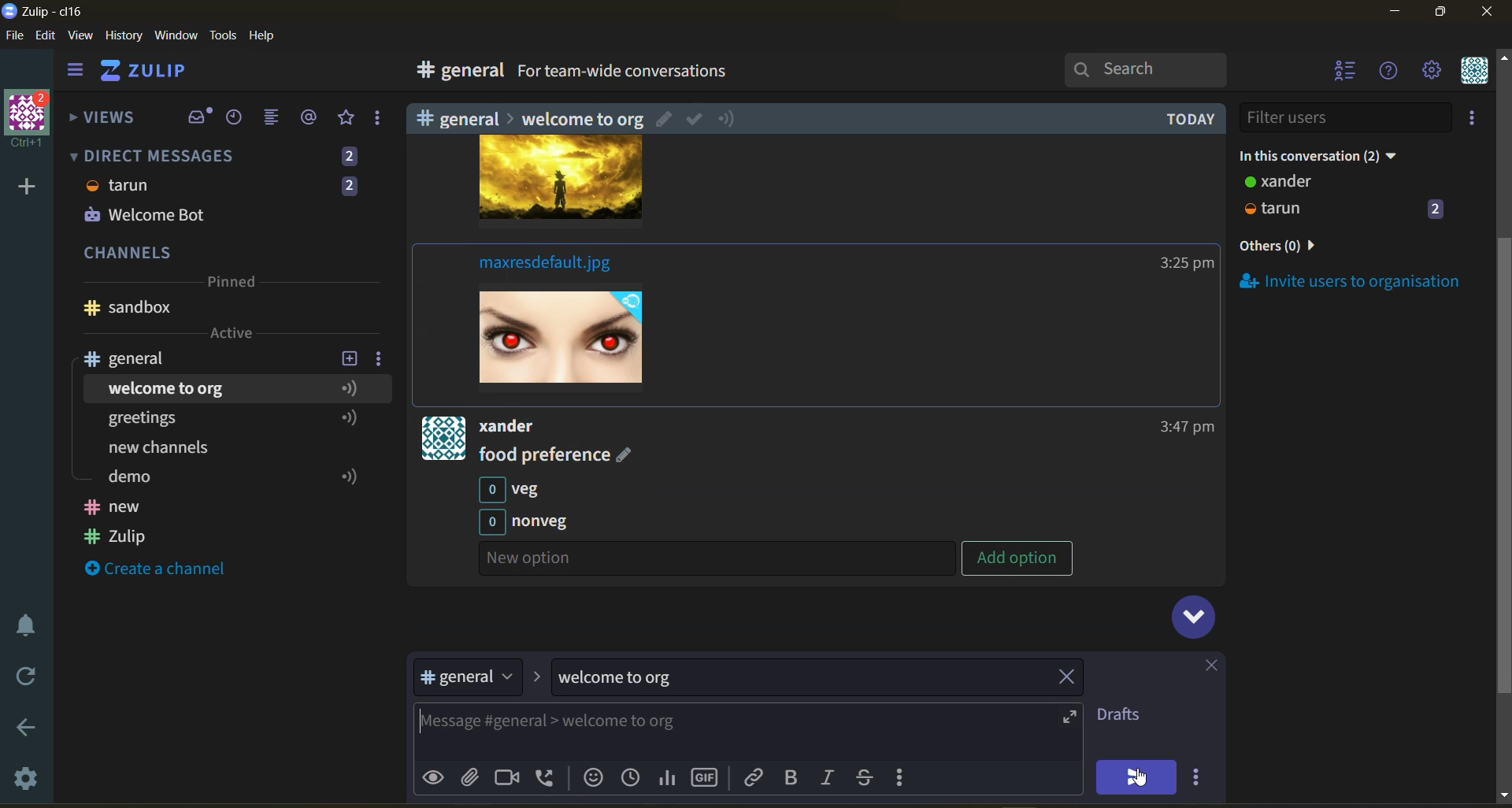 The width and height of the screenshot is (1512, 808). What do you see at coordinates (707, 72) in the screenshot?
I see `for team wide conversations` at bounding box center [707, 72].